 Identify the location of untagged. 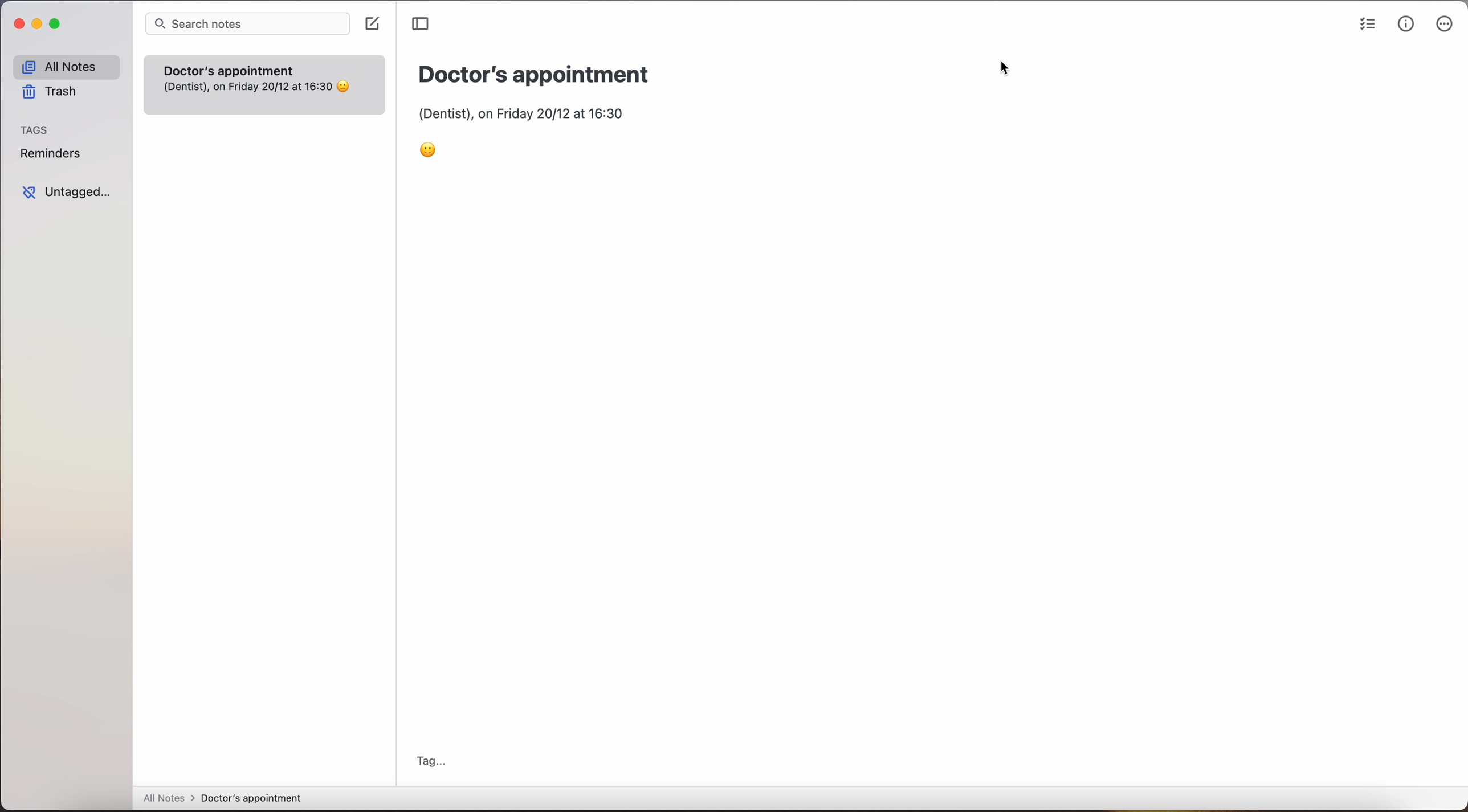
(70, 192).